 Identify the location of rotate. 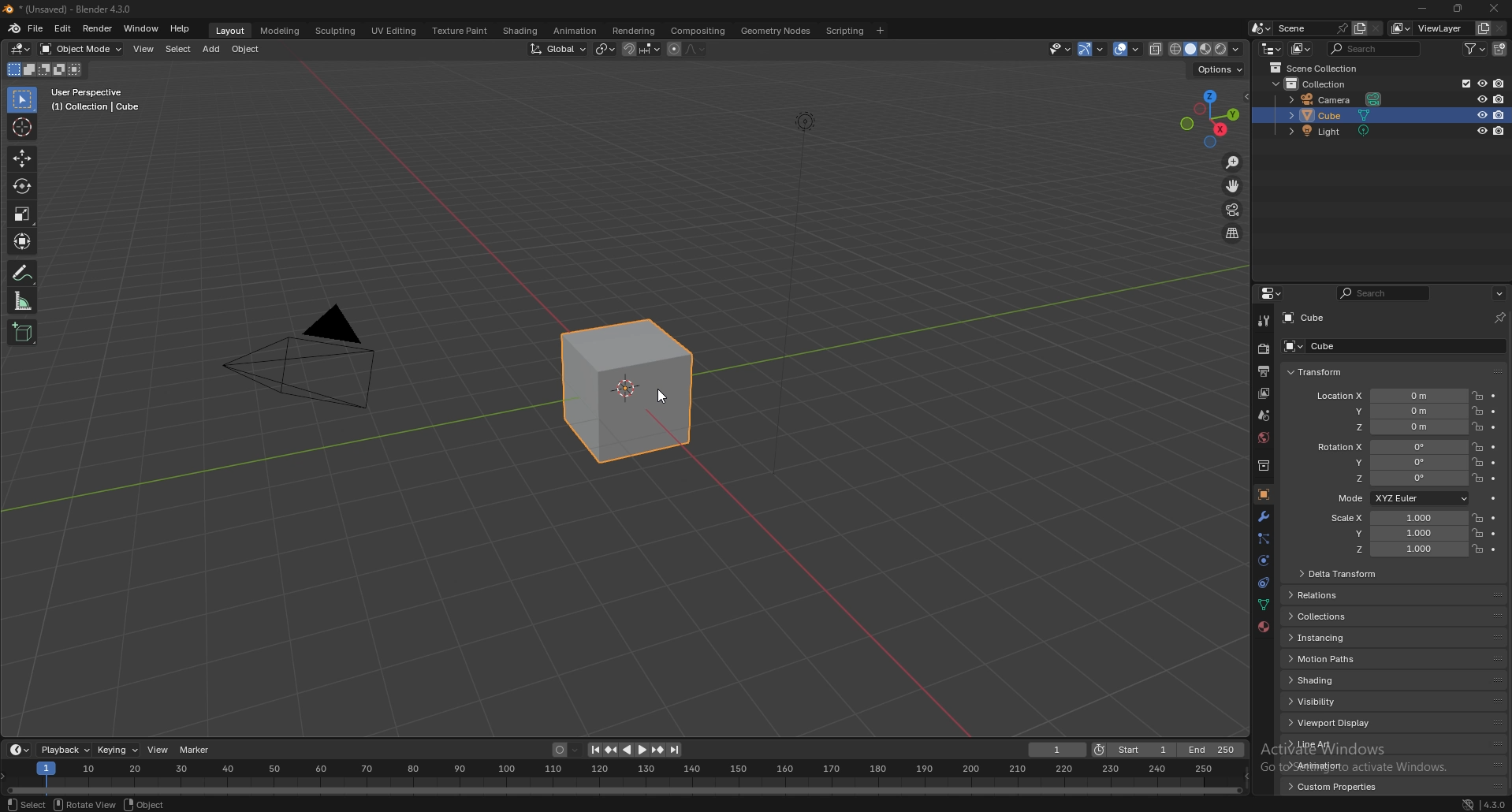
(23, 186).